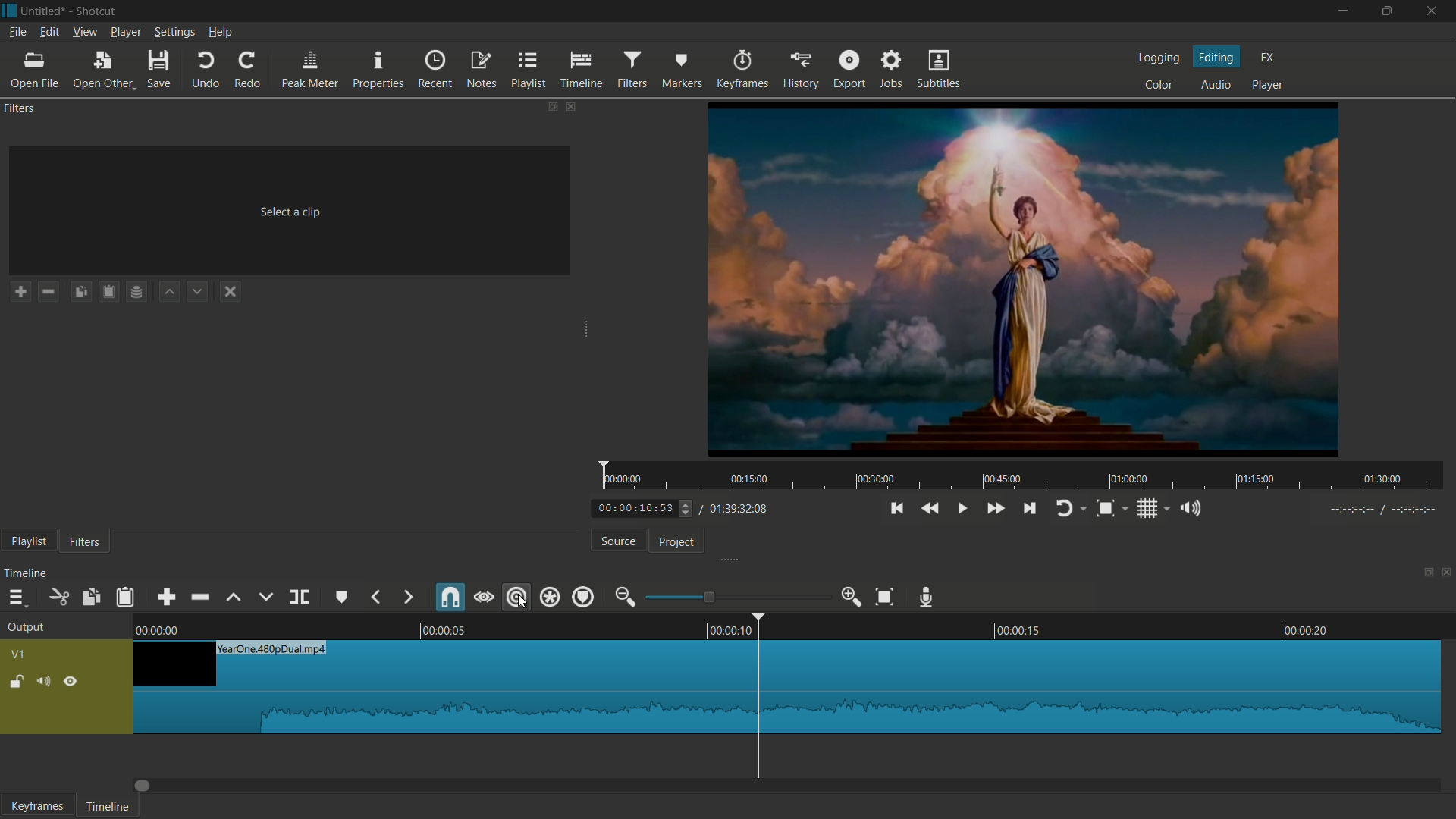  What do you see at coordinates (108, 290) in the screenshot?
I see `paste filters` at bounding box center [108, 290].